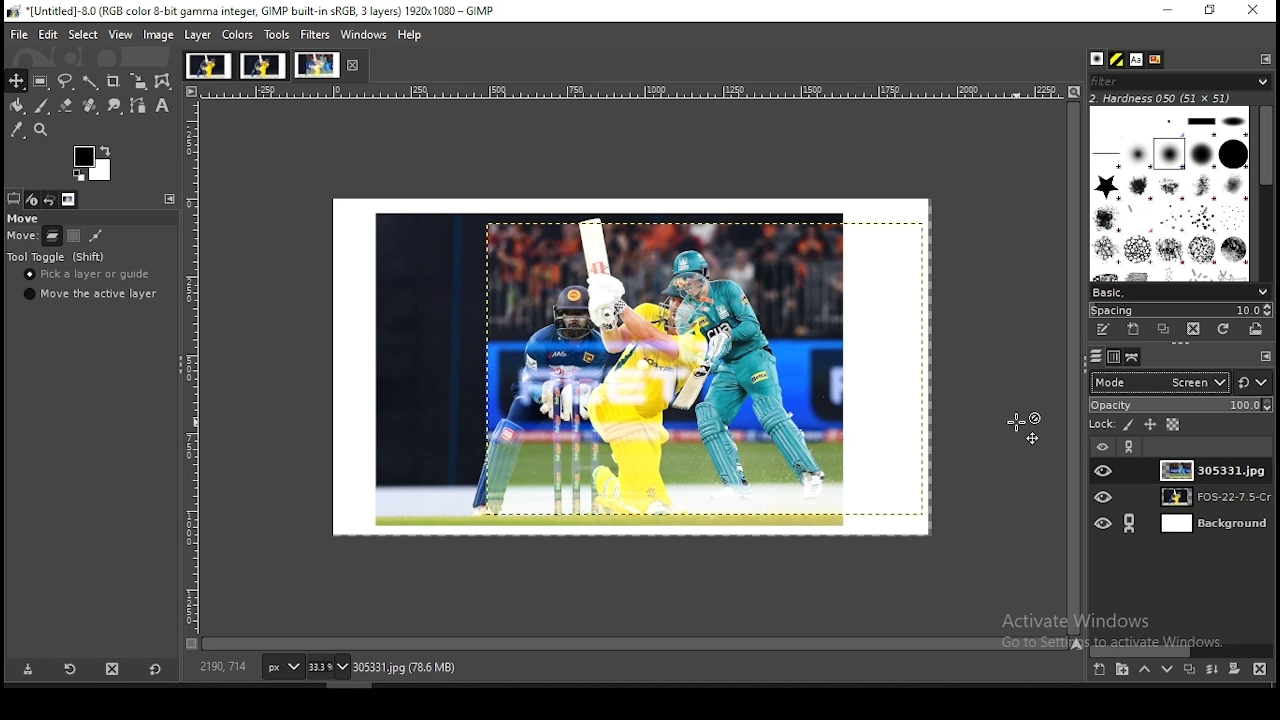 The width and height of the screenshot is (1280, 720). I want to click on mask, so click(1236, 669).